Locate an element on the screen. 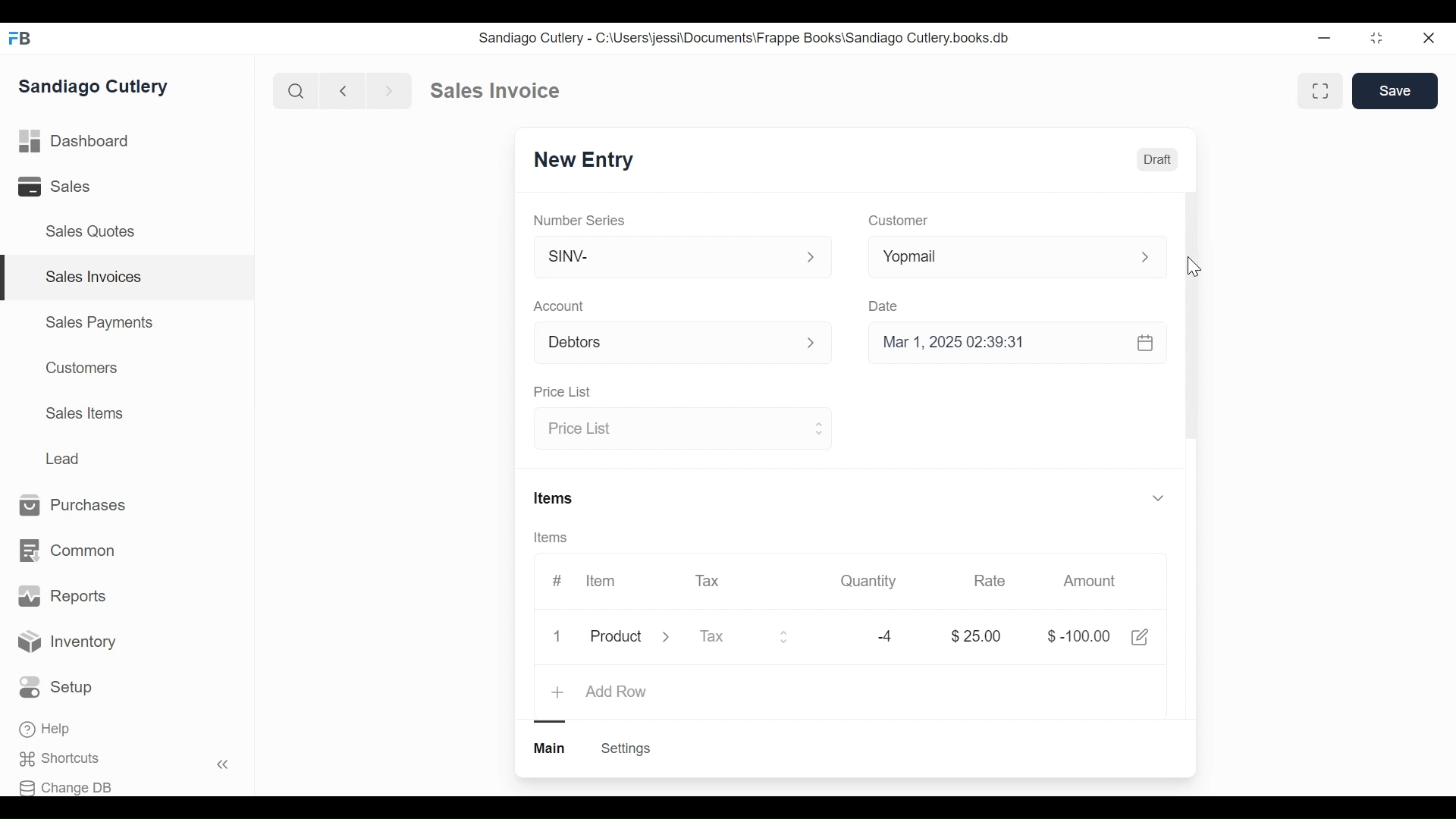 The image size is (1456, 819). Item is located at coordinates (600, 580).